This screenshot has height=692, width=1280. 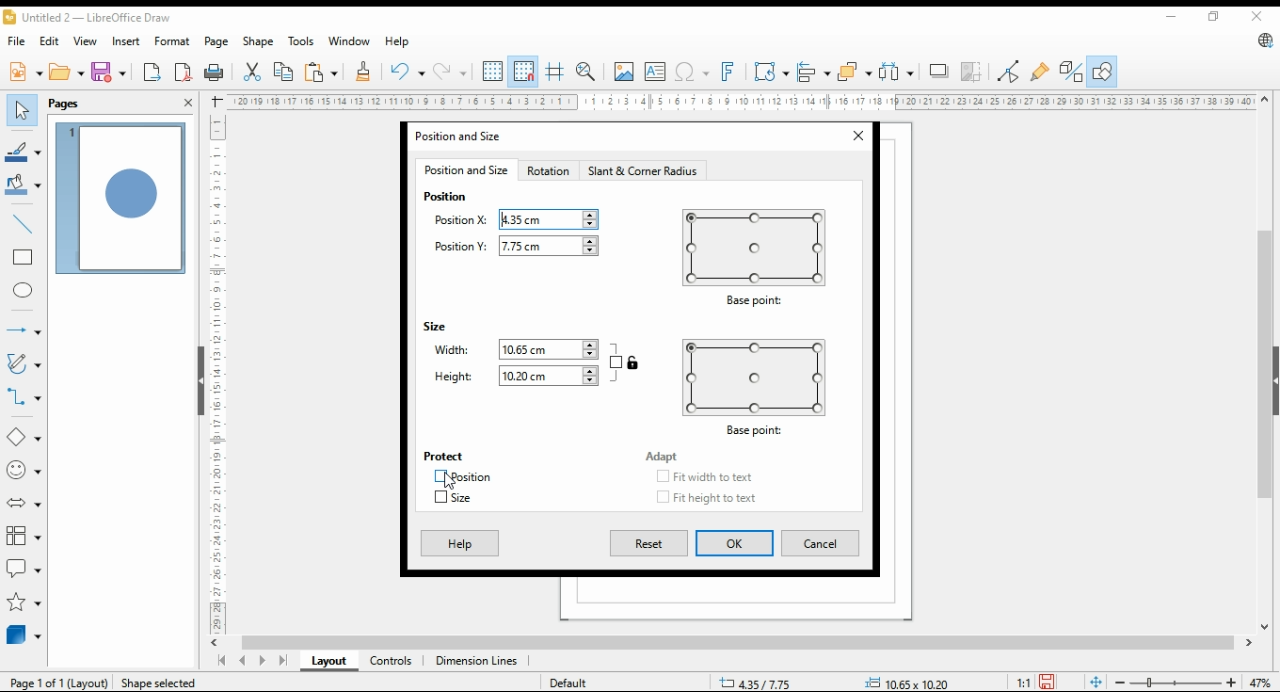 What do you see at coordinates (218, 369) in the screenshot?
I see `Ruler` at bounding box center [218, 369].